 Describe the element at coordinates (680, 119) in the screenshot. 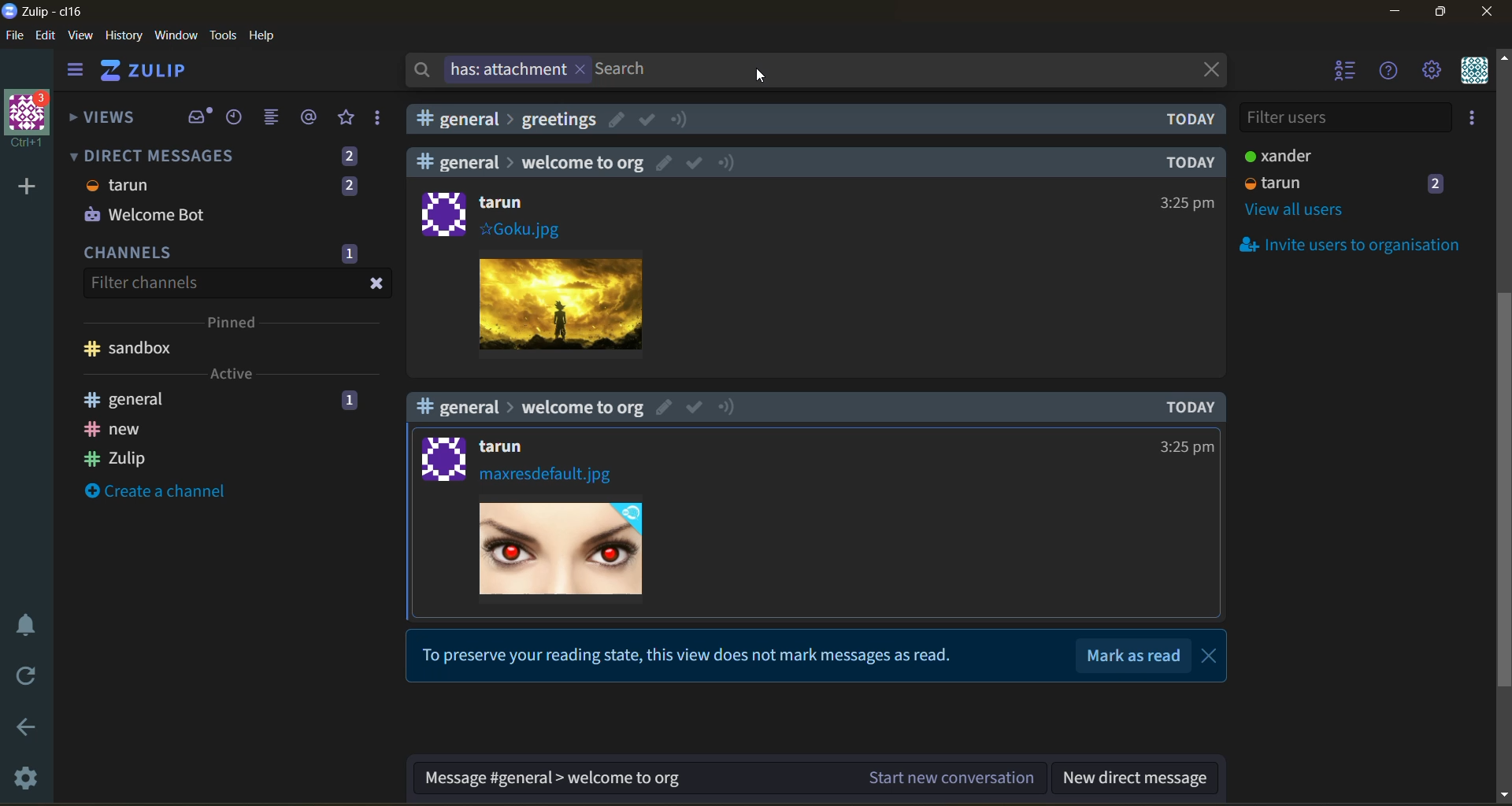

I see `notify` at that location.